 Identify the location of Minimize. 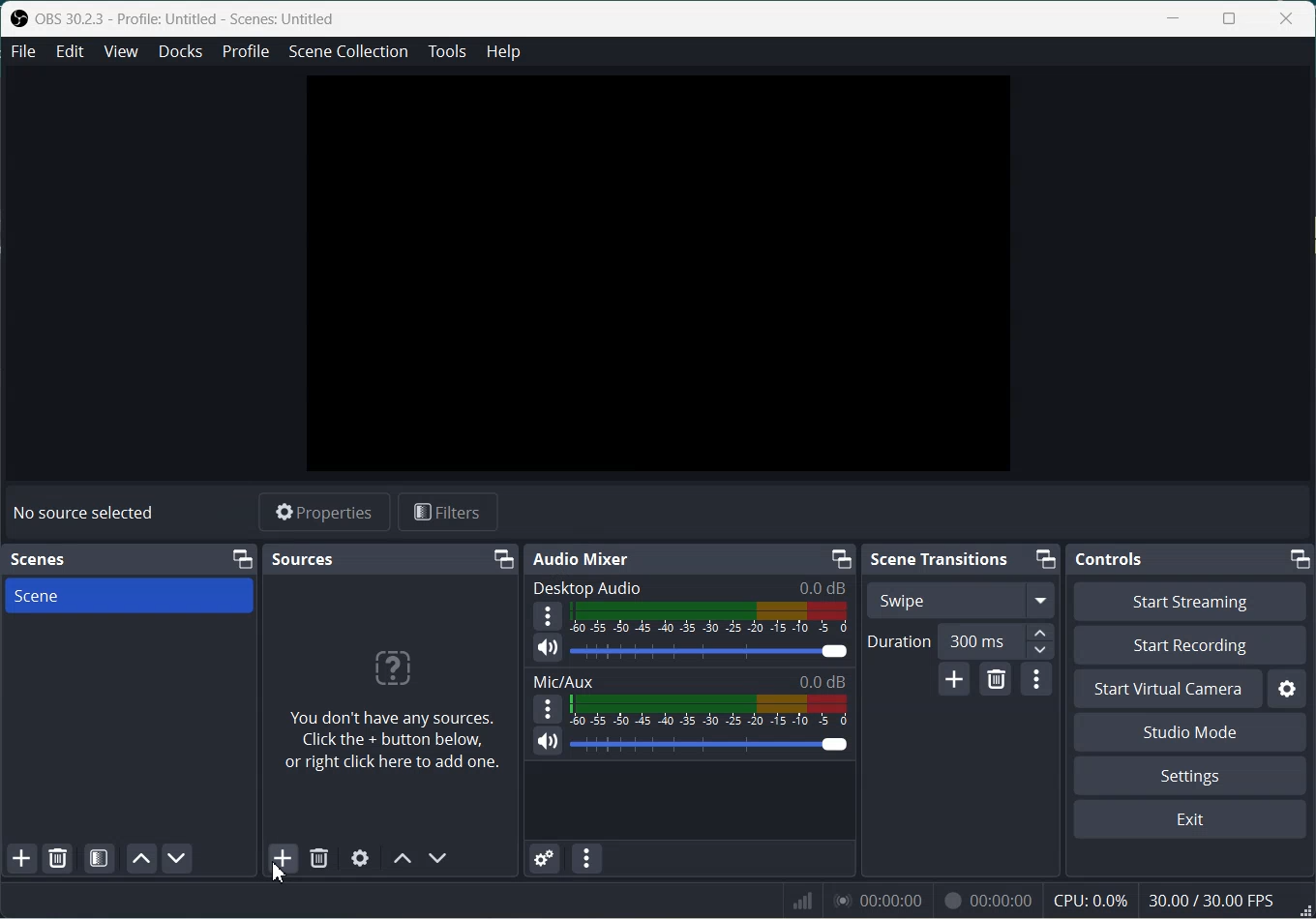
(1301, 558).